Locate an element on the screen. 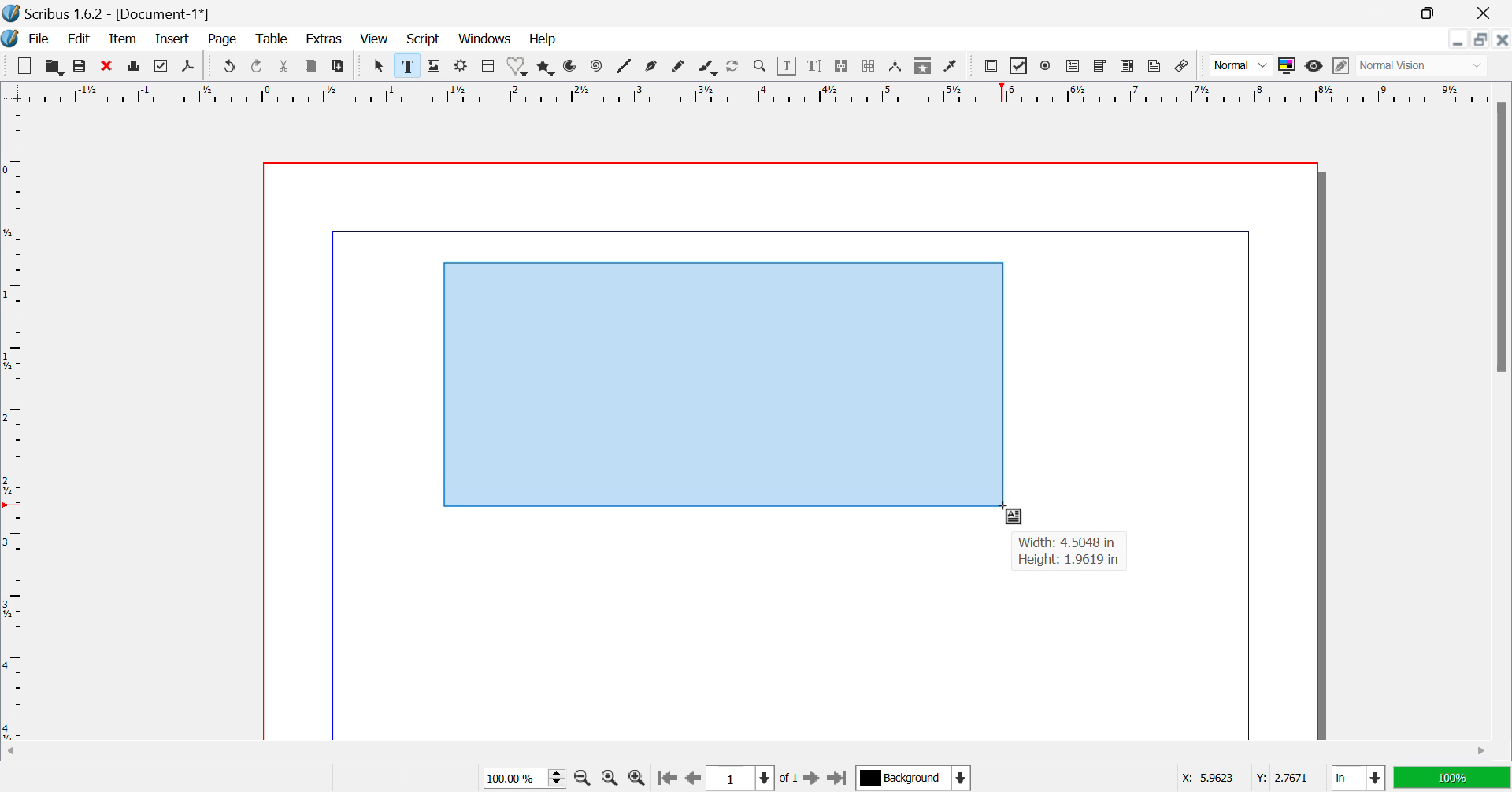  Minimize is located at coordinates (1482, 40).